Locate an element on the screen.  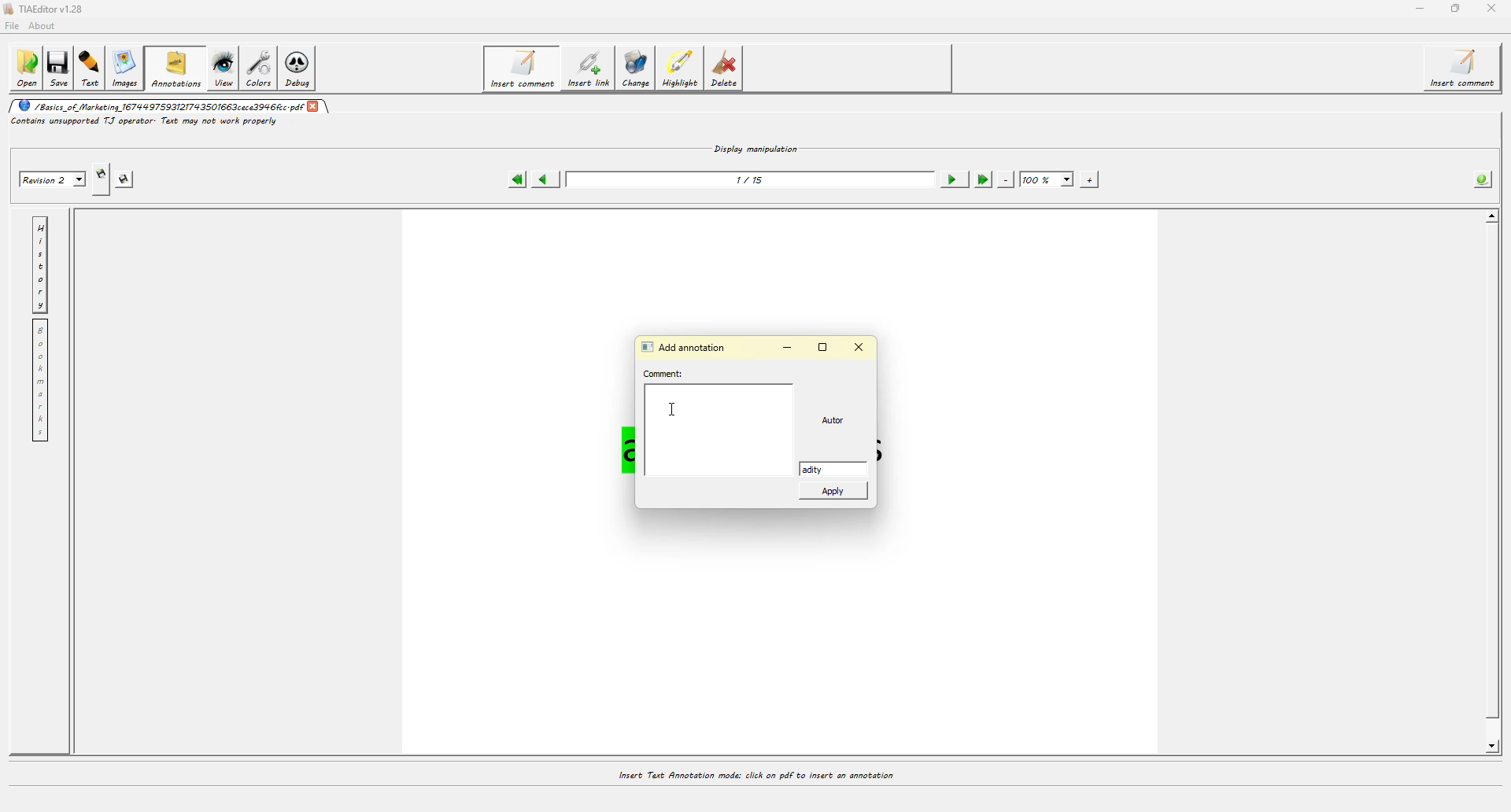
info about the pdf is located at coordinates (1480, 180).